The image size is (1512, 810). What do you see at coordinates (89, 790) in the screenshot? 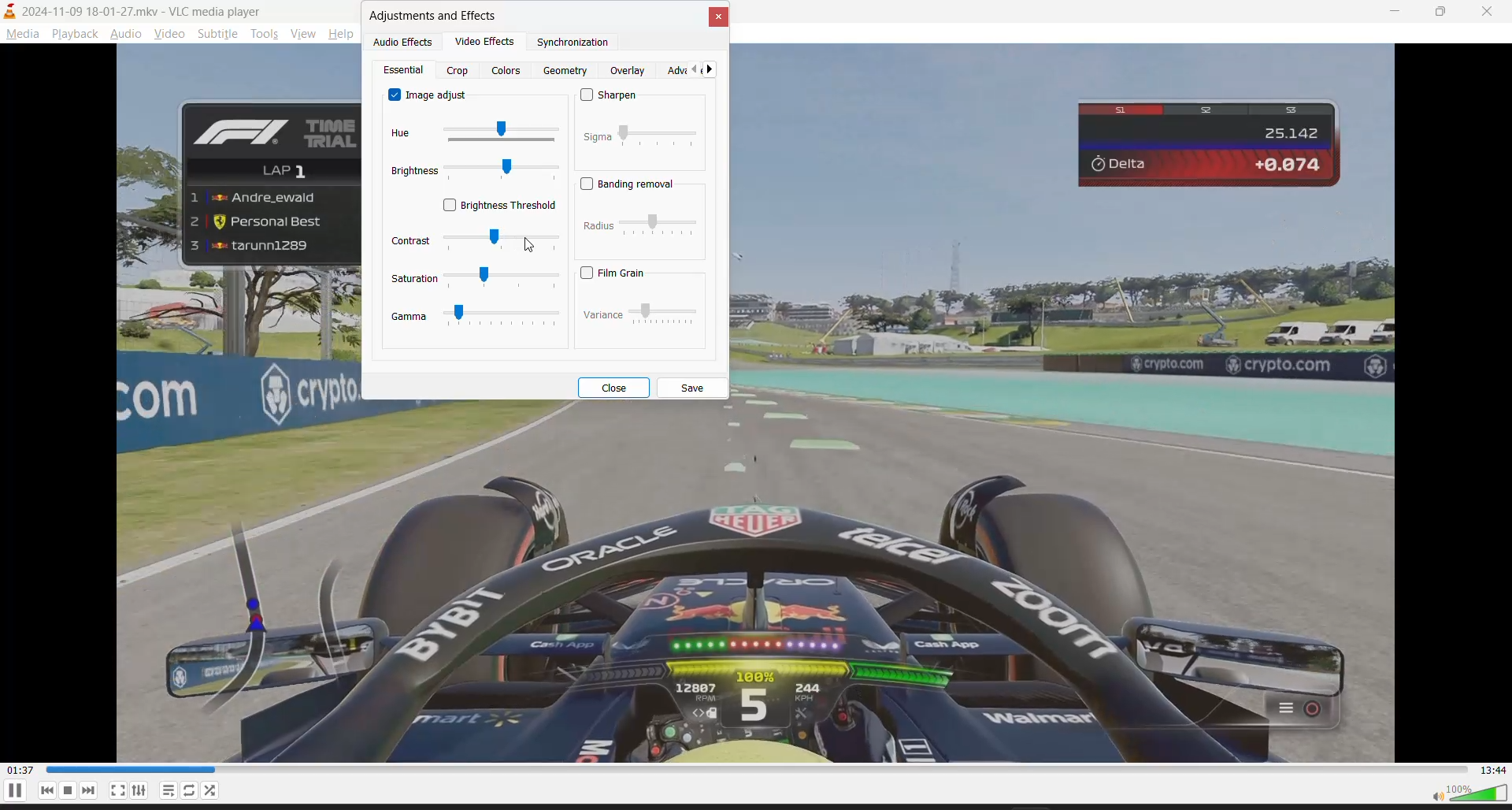
I see `next` at bounding box center [89, 790].